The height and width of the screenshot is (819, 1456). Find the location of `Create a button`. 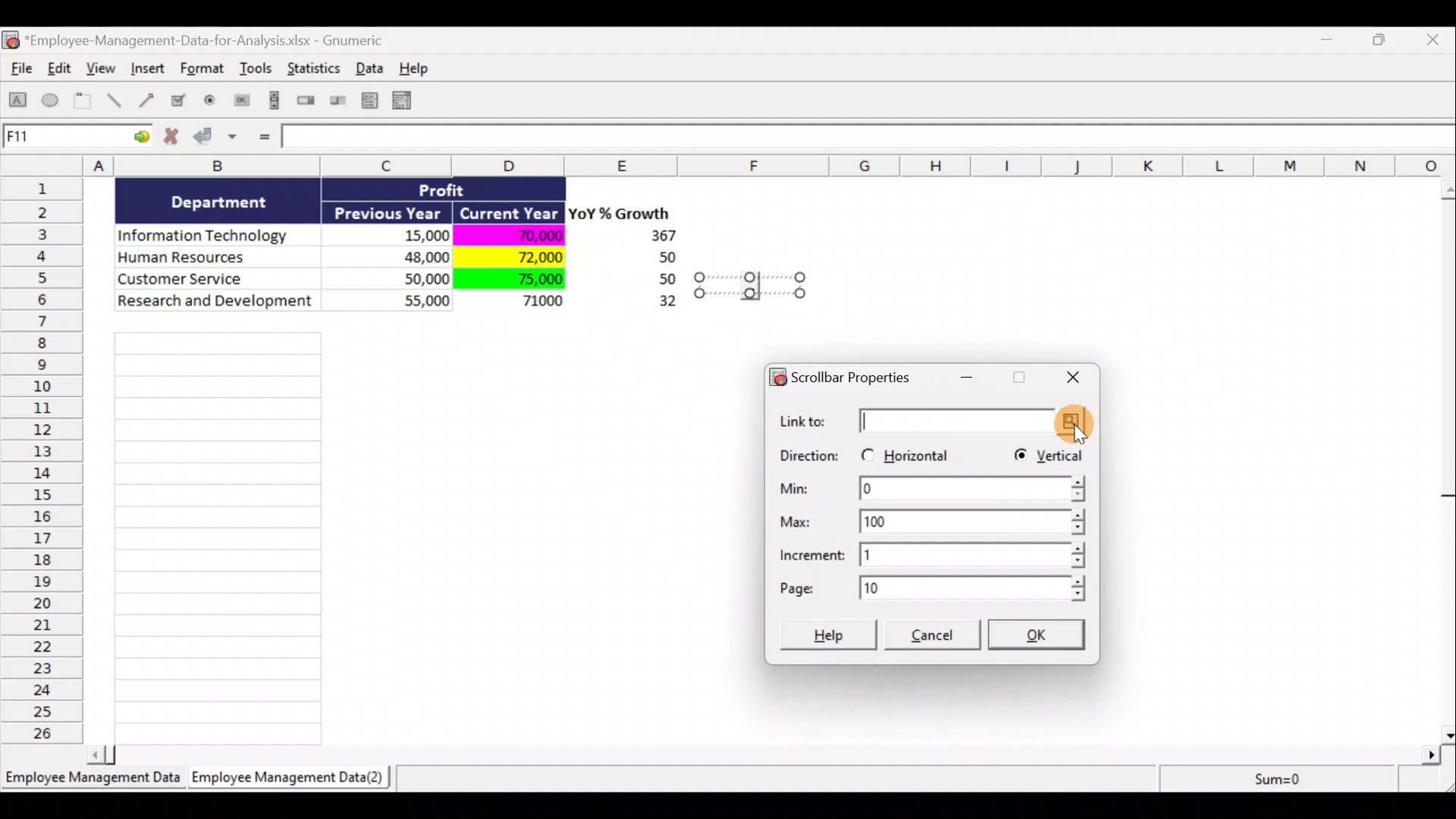

Create a button is located at coordinates (240, 104).